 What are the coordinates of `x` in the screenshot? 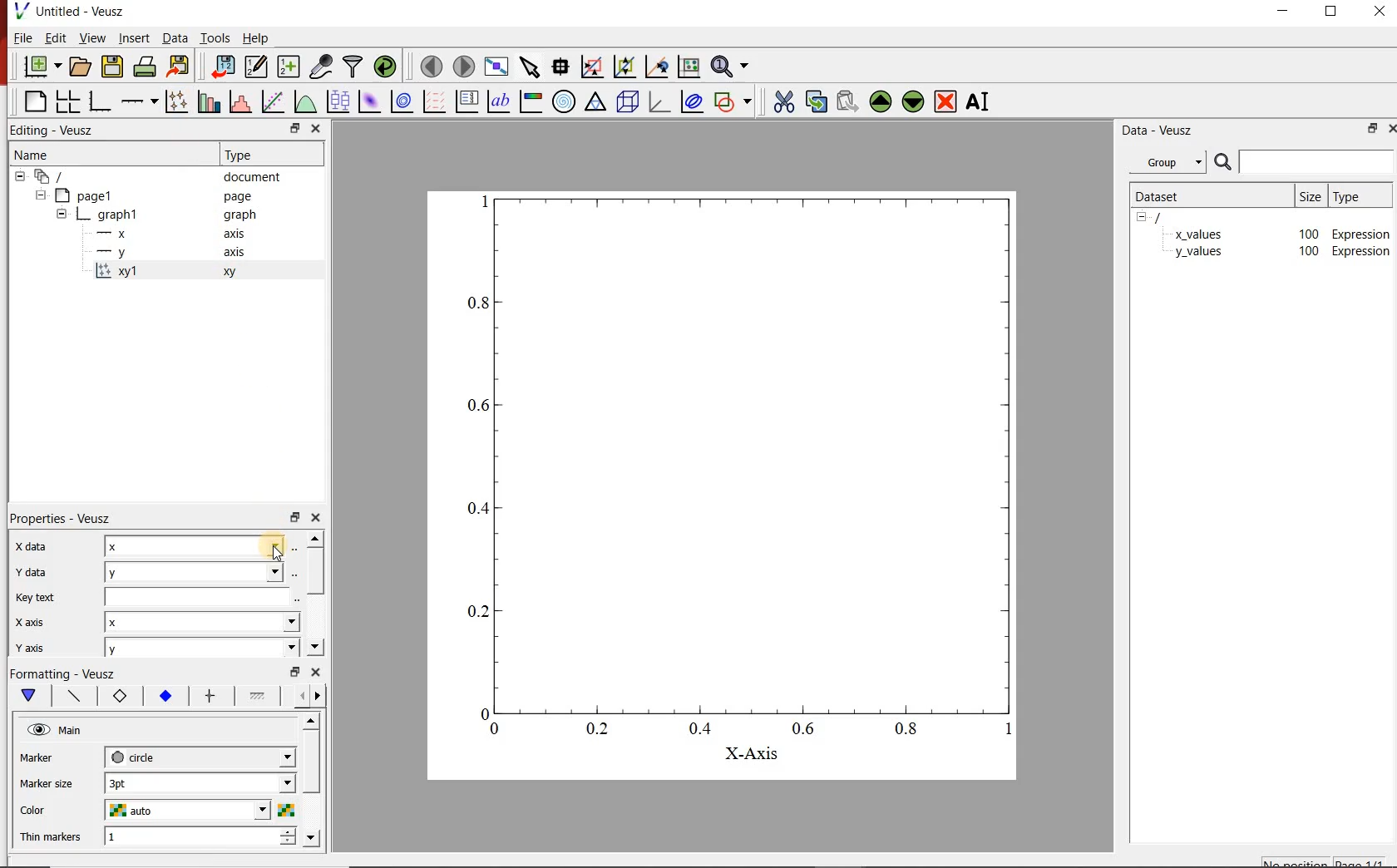 It's located at (194, 545).